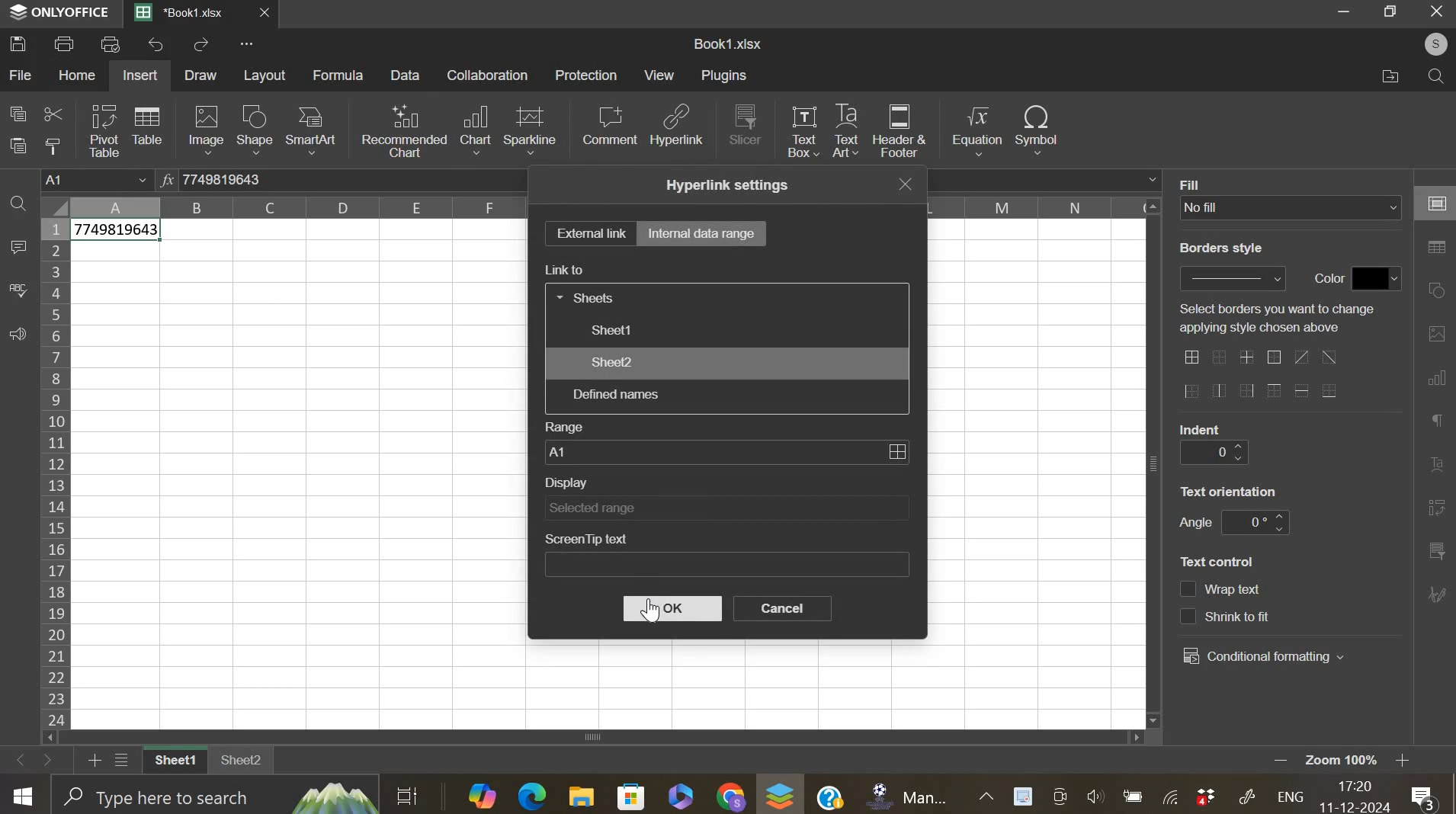 Image resolution: width=1456 pixels, height=814 pixels. What do you see at coordinates (98, 181) in the screenshot?
I see `cell name` at bounding box center [98, 181].